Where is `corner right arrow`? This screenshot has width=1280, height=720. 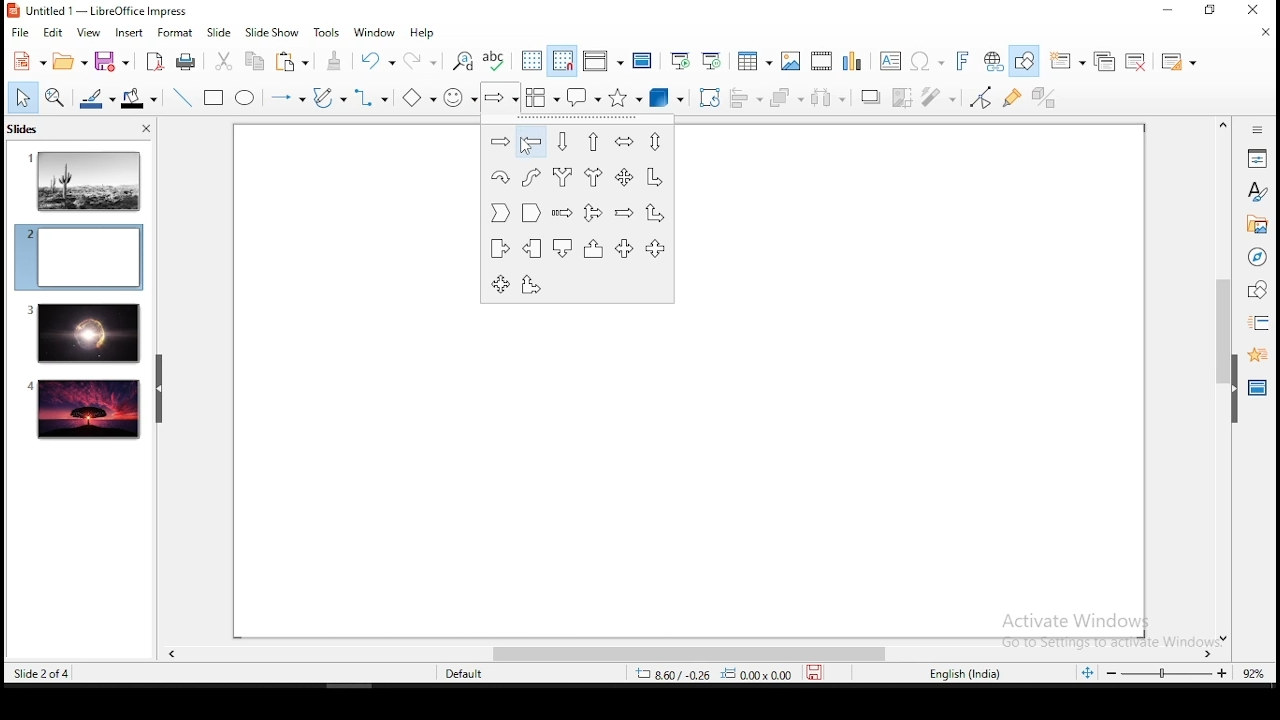
corner right arrow is located at coordinates (656, 177).